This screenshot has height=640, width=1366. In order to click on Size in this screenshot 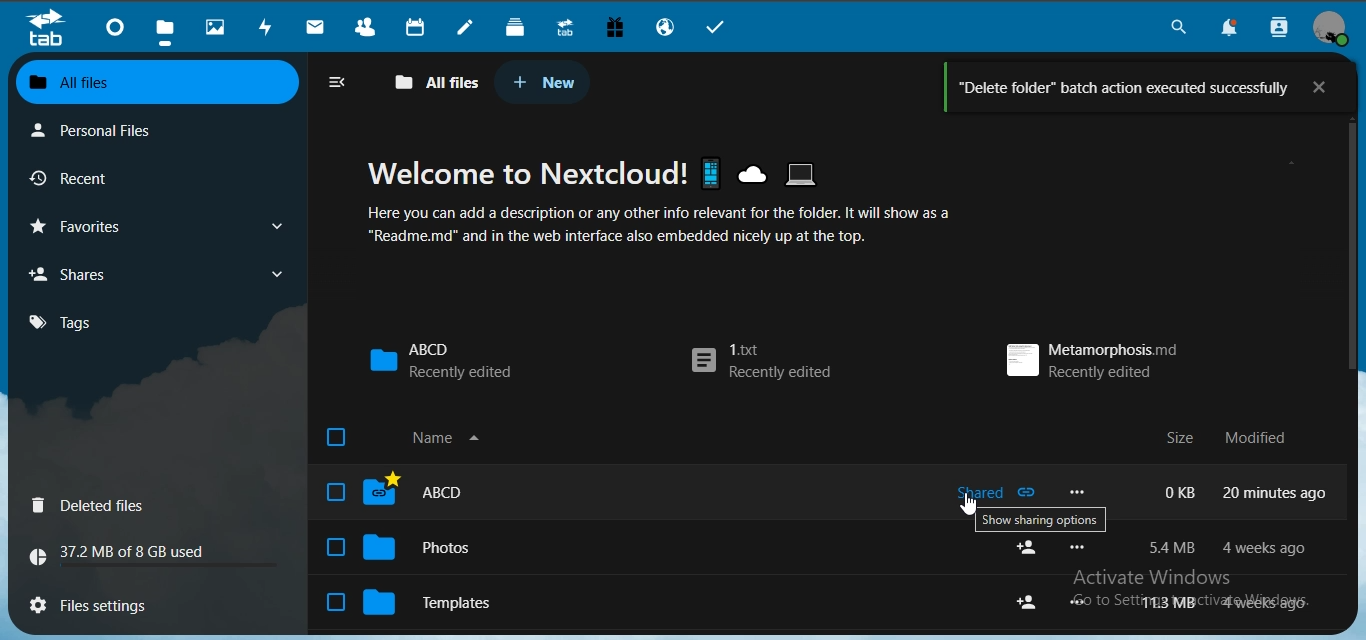, I will do `click(1172, 437)`.